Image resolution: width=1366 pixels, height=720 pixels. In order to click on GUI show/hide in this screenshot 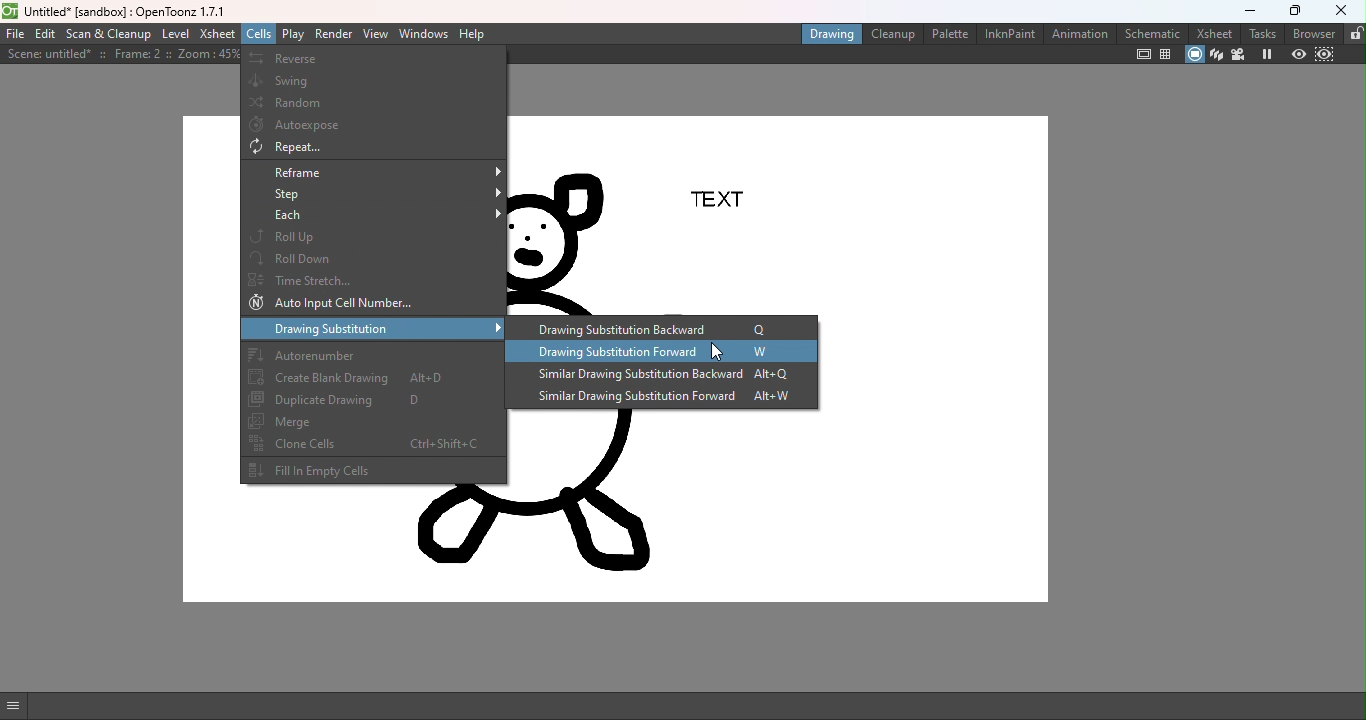, I will do `click(19, 706)`.